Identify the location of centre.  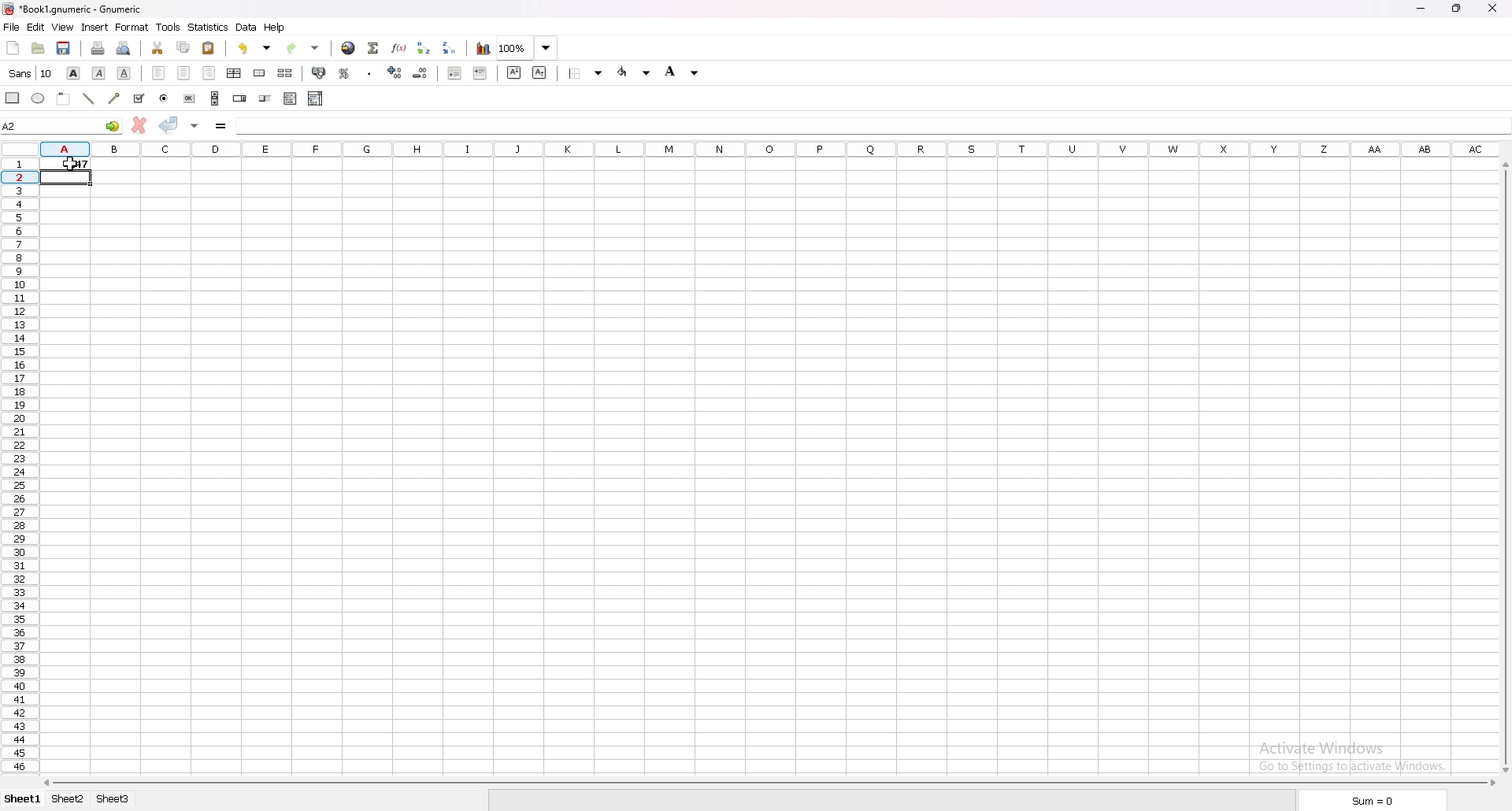
(184, 74).